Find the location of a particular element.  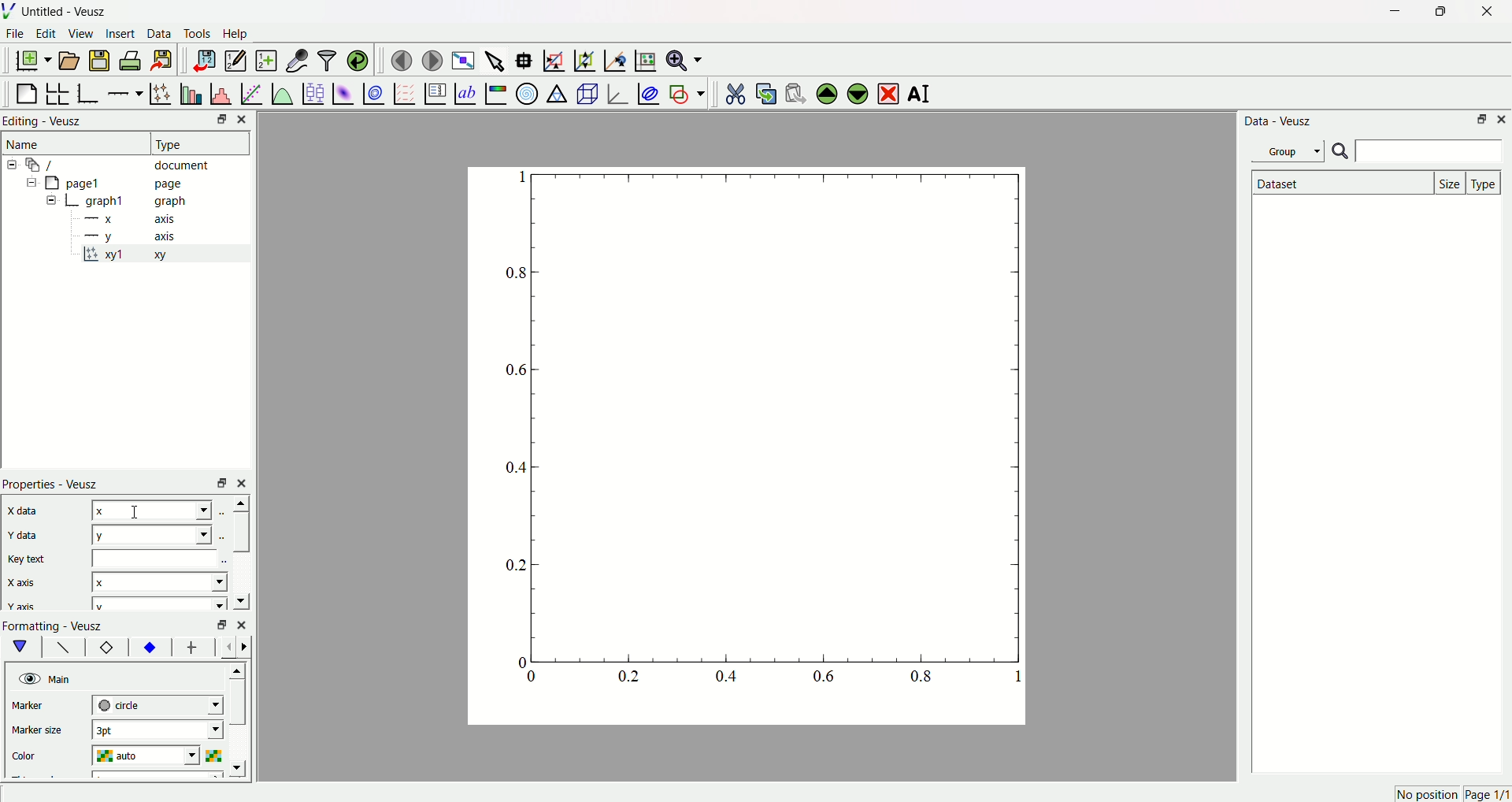

blank page is located at coordinates (28, 90).